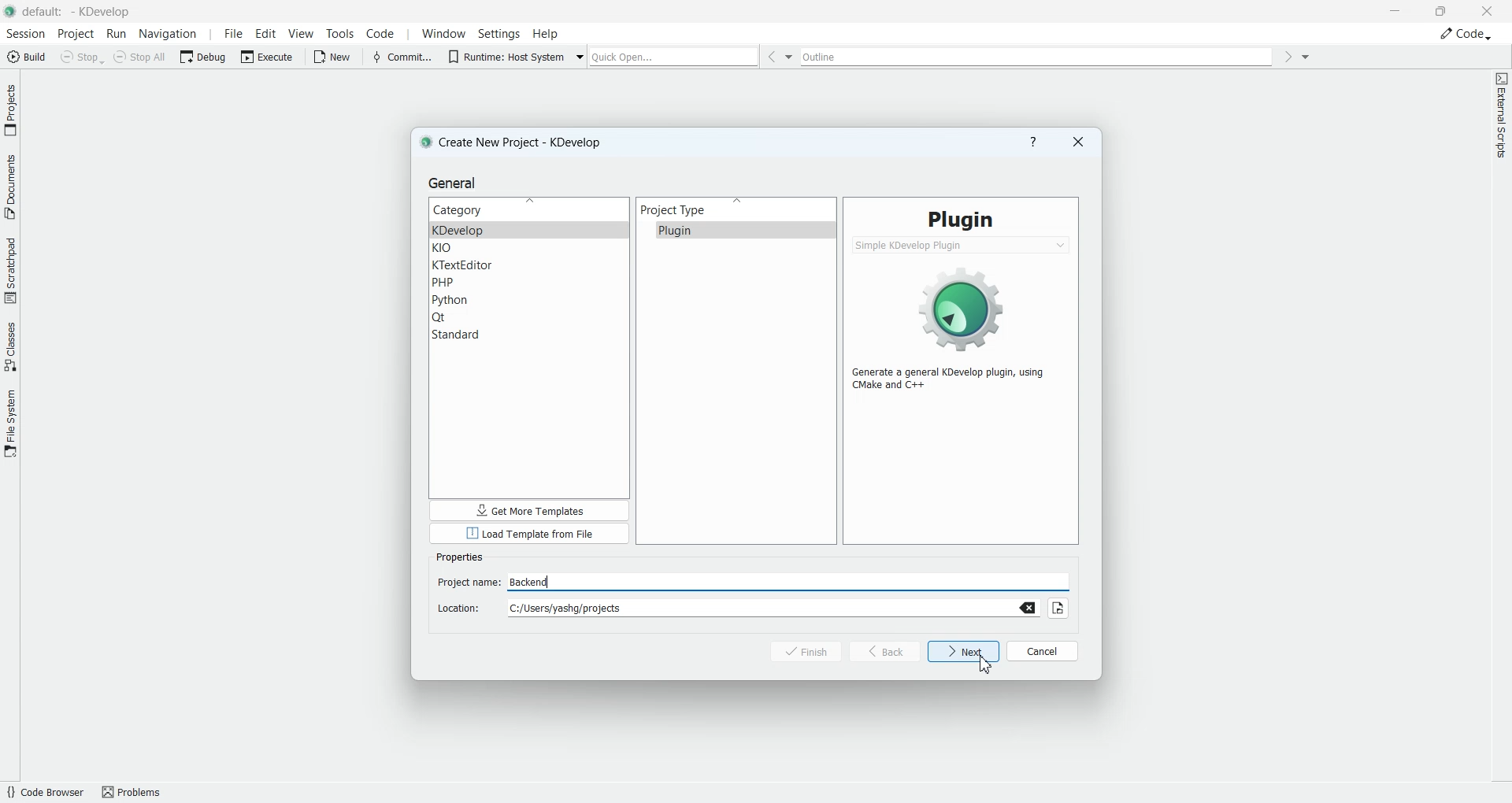 This screenshot has width=1512, height=803. I want to click on Create New Project, so click(516, 142).